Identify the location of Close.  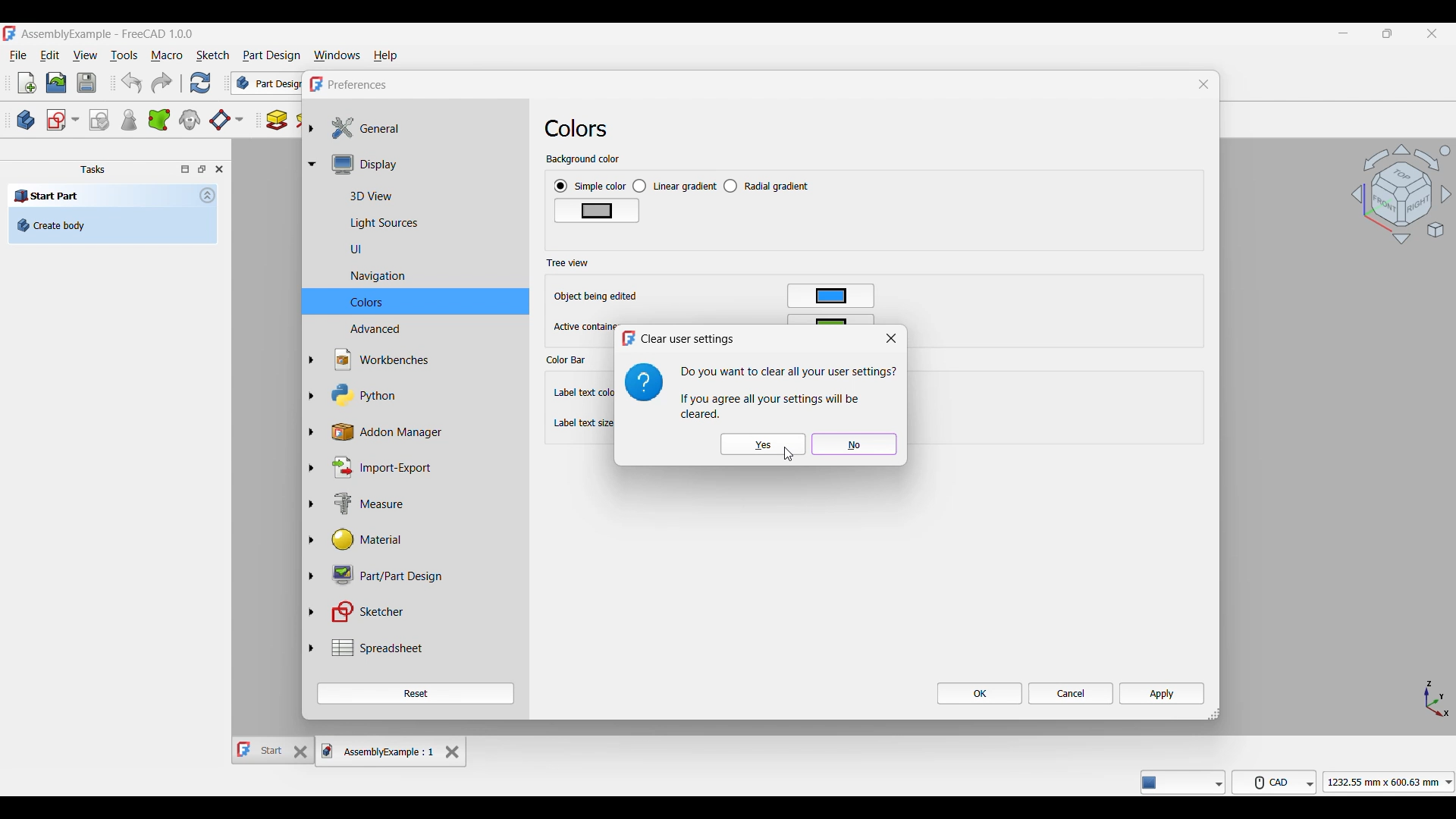
(218, 169).